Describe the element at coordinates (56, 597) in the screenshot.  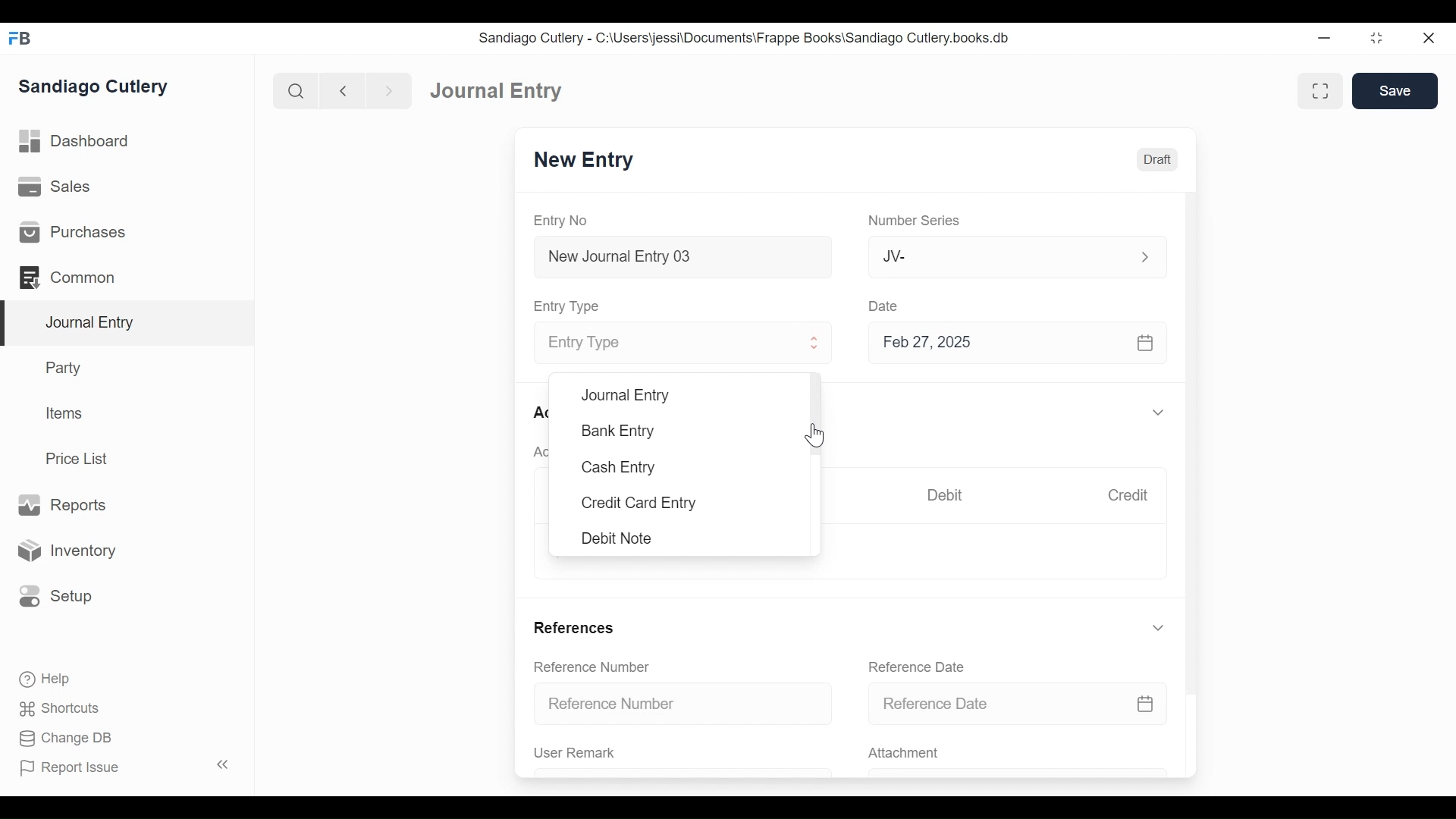
I see `Setup` at that location.